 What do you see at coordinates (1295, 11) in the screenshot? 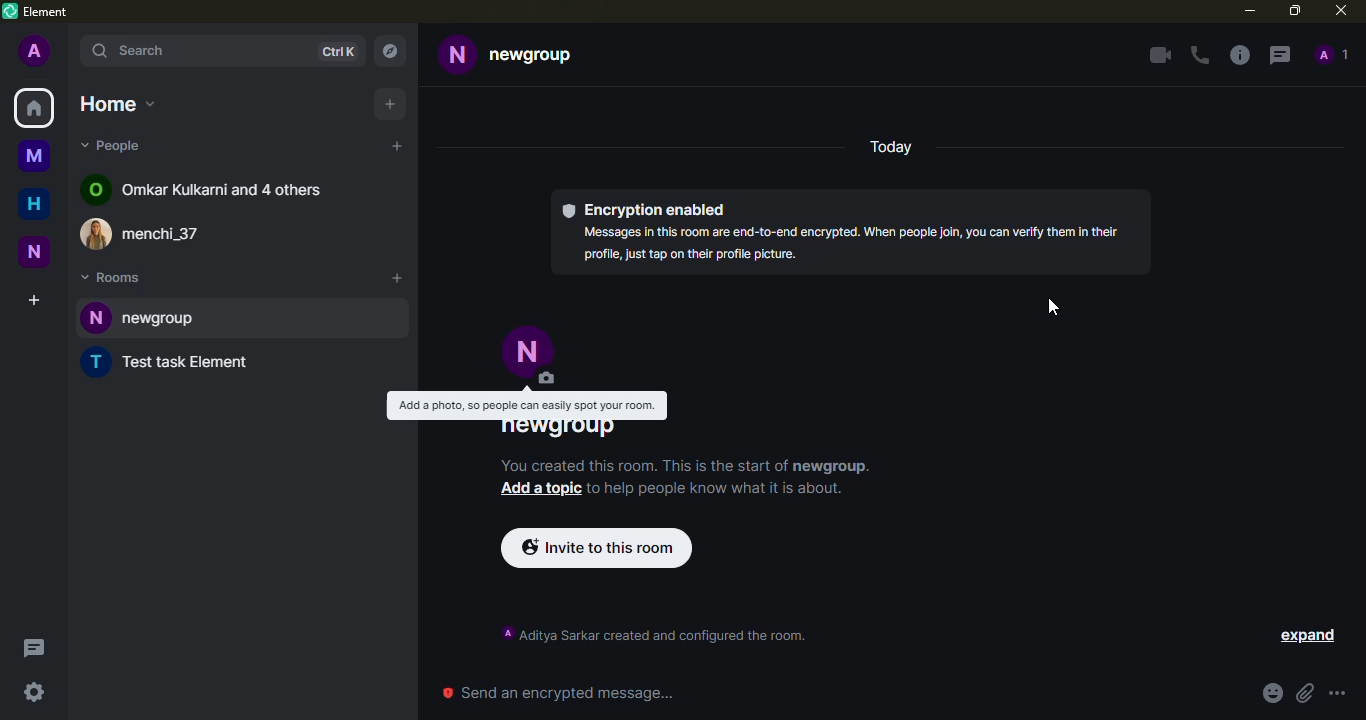
I see `maximize` at bounding box center [1295, 11].